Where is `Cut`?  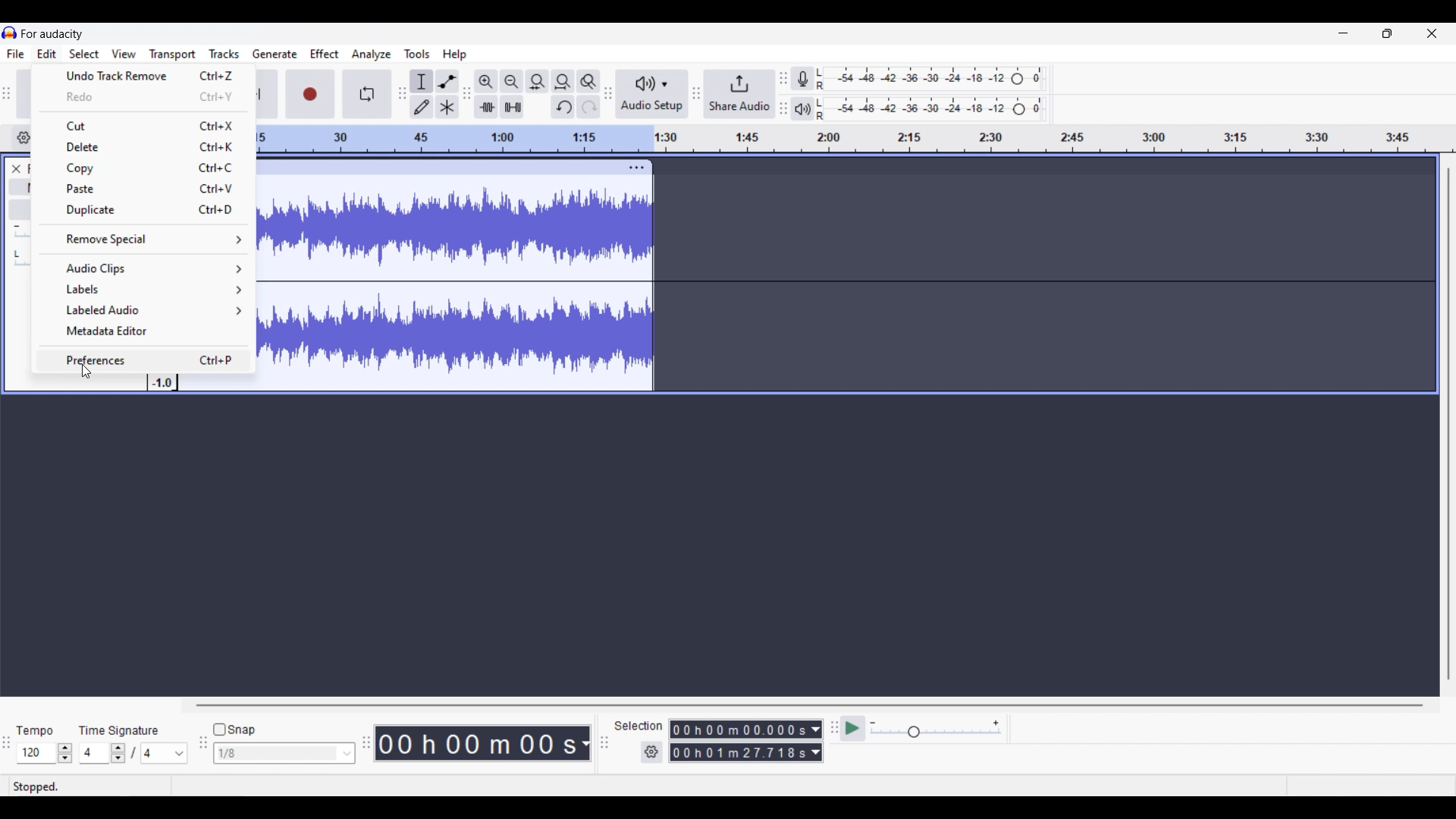 Cut is located at coordinates (146, 124).